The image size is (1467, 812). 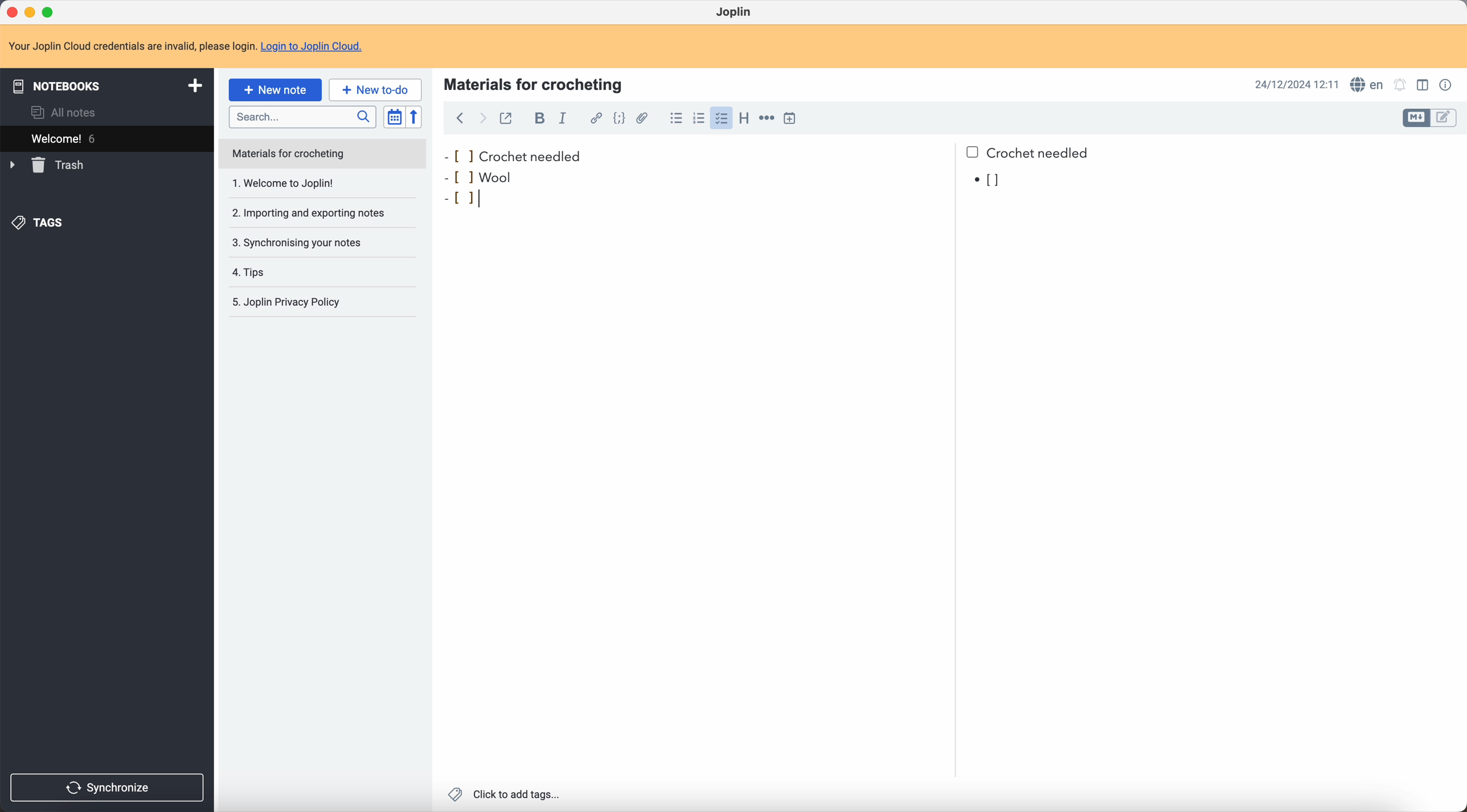 What do you see at coordinates (315, 184) in the screenshot?
I see `1. Welcome to Joplin!` at bounding box center [315, 184].